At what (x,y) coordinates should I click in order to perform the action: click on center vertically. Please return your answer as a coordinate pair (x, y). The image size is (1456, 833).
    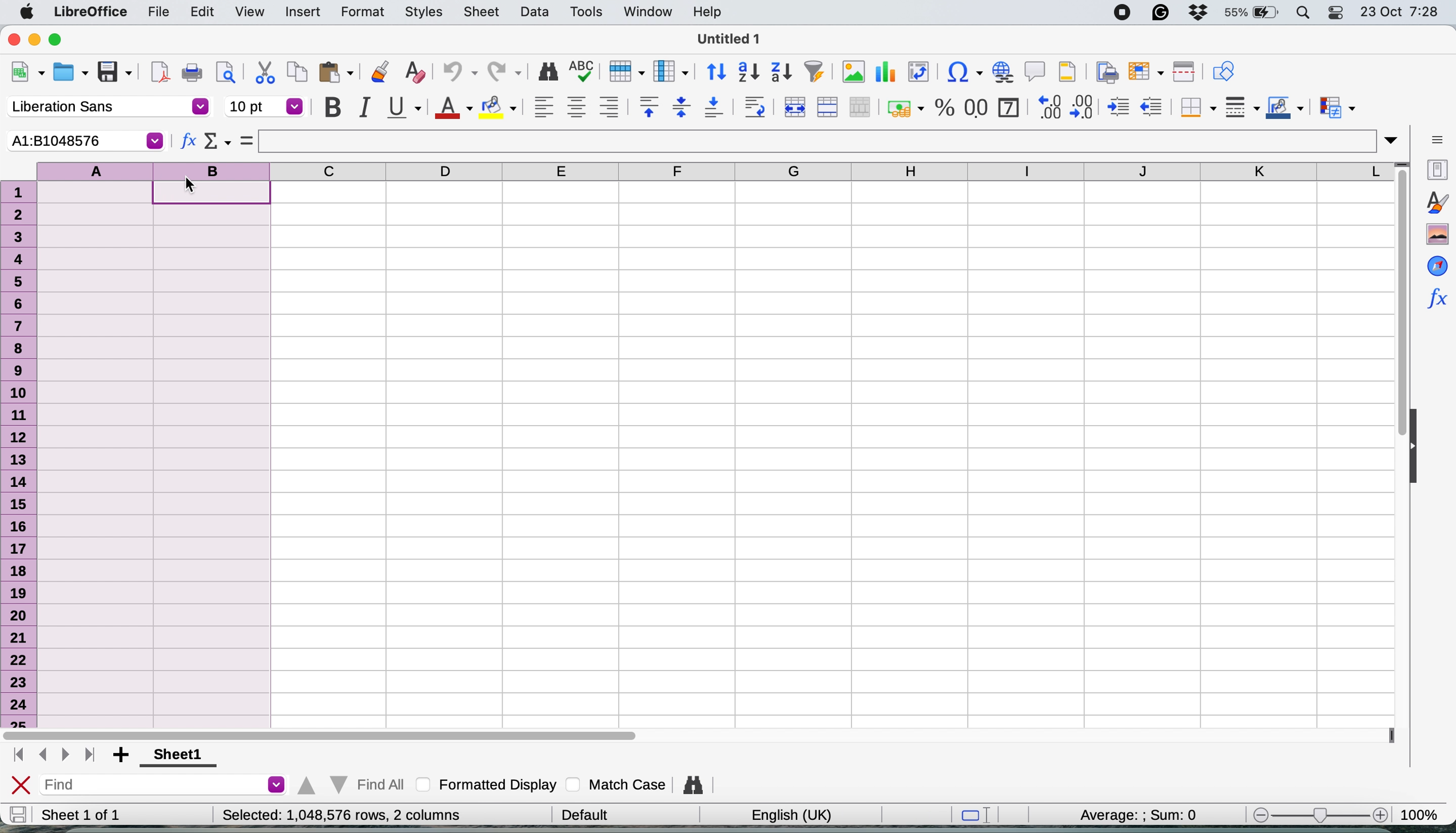
    Looking at the image, I should click on (681, 108).